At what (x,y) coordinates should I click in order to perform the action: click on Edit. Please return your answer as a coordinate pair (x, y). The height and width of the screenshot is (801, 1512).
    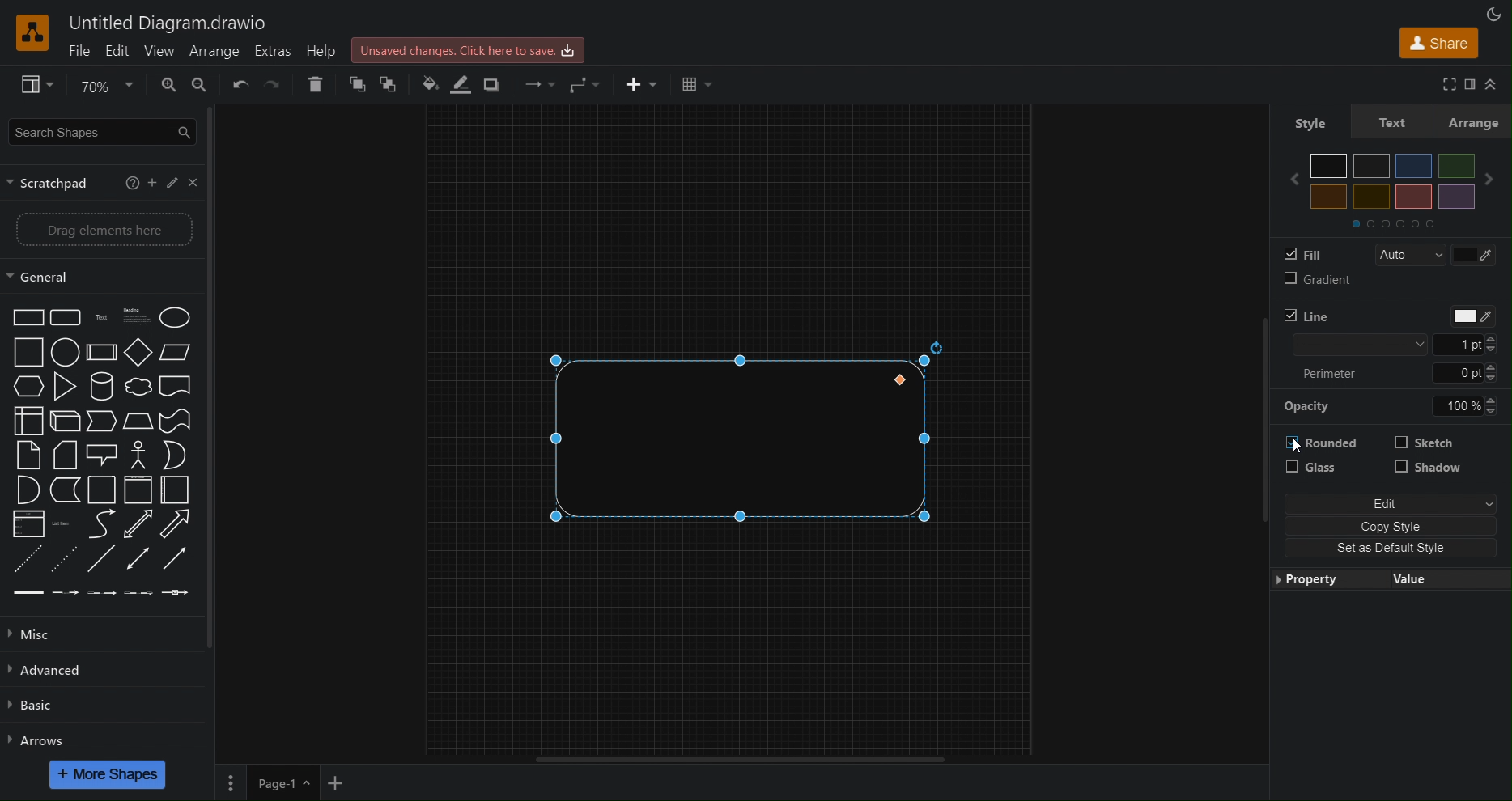
    Looking at the image, I should click on (1395, 503).